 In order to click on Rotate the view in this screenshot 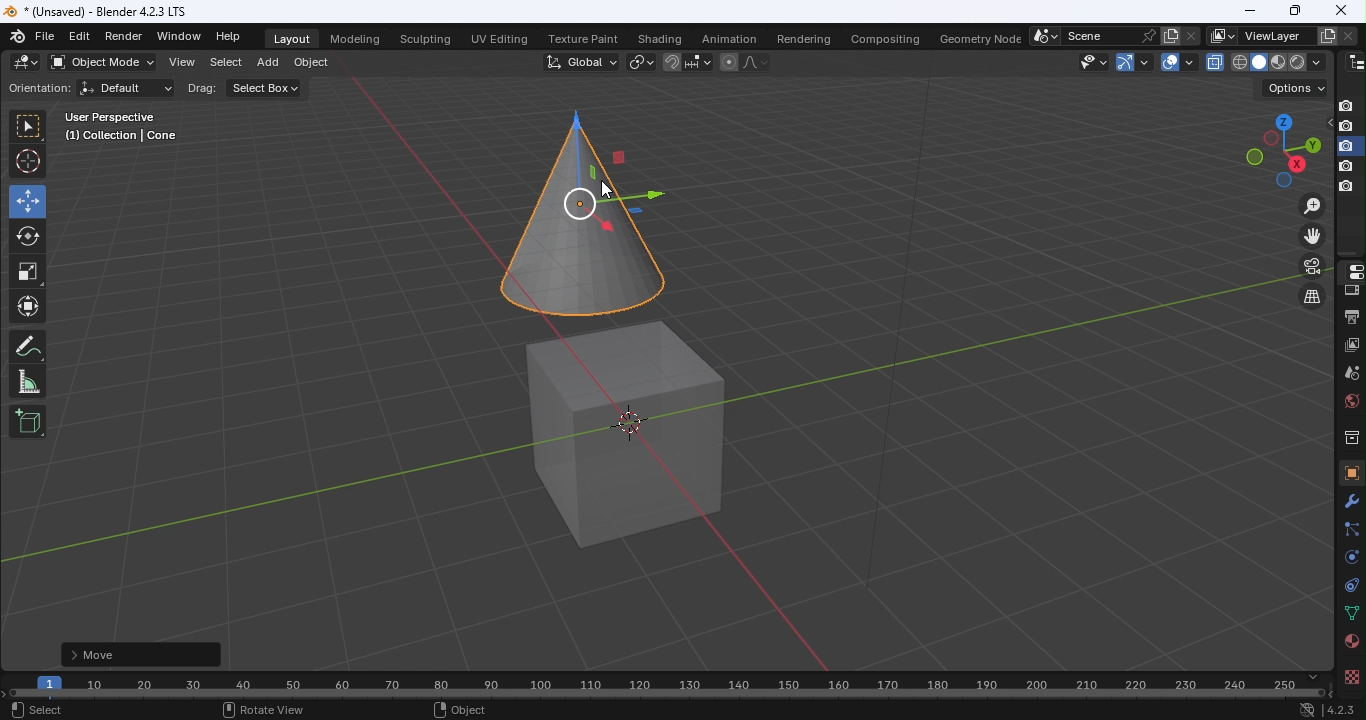, I will do `click(1310, 144)`.